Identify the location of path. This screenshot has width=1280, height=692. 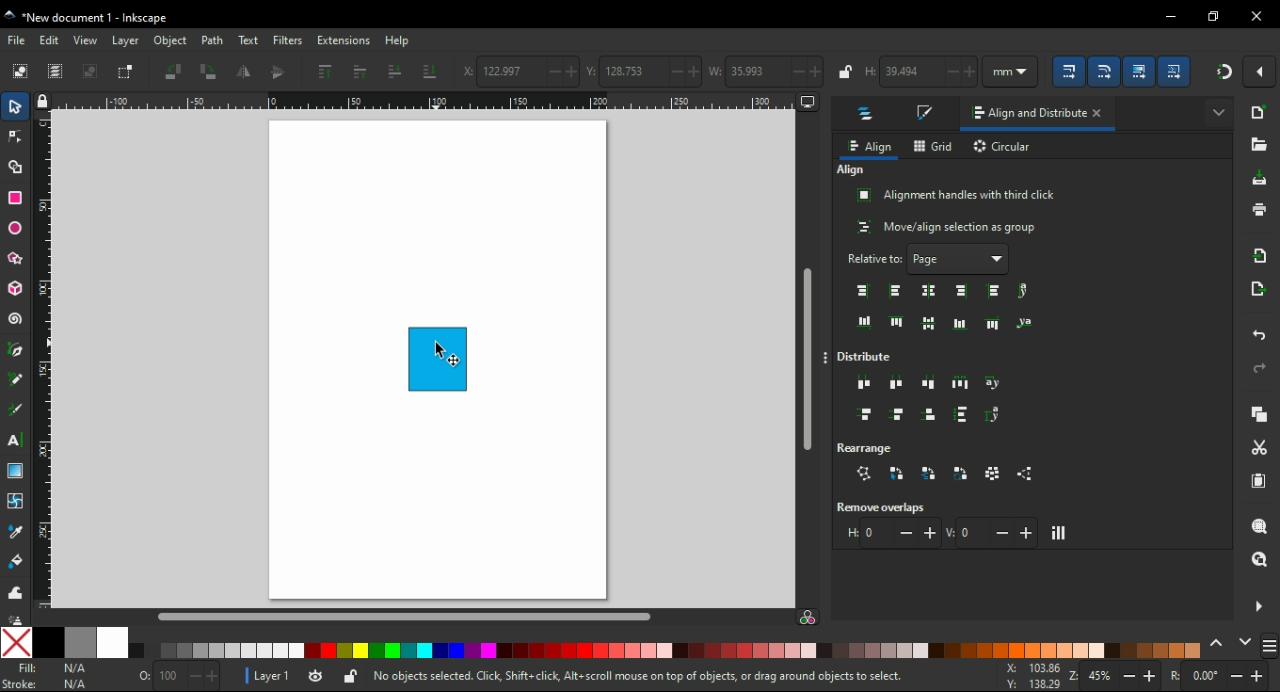
(212, 41).